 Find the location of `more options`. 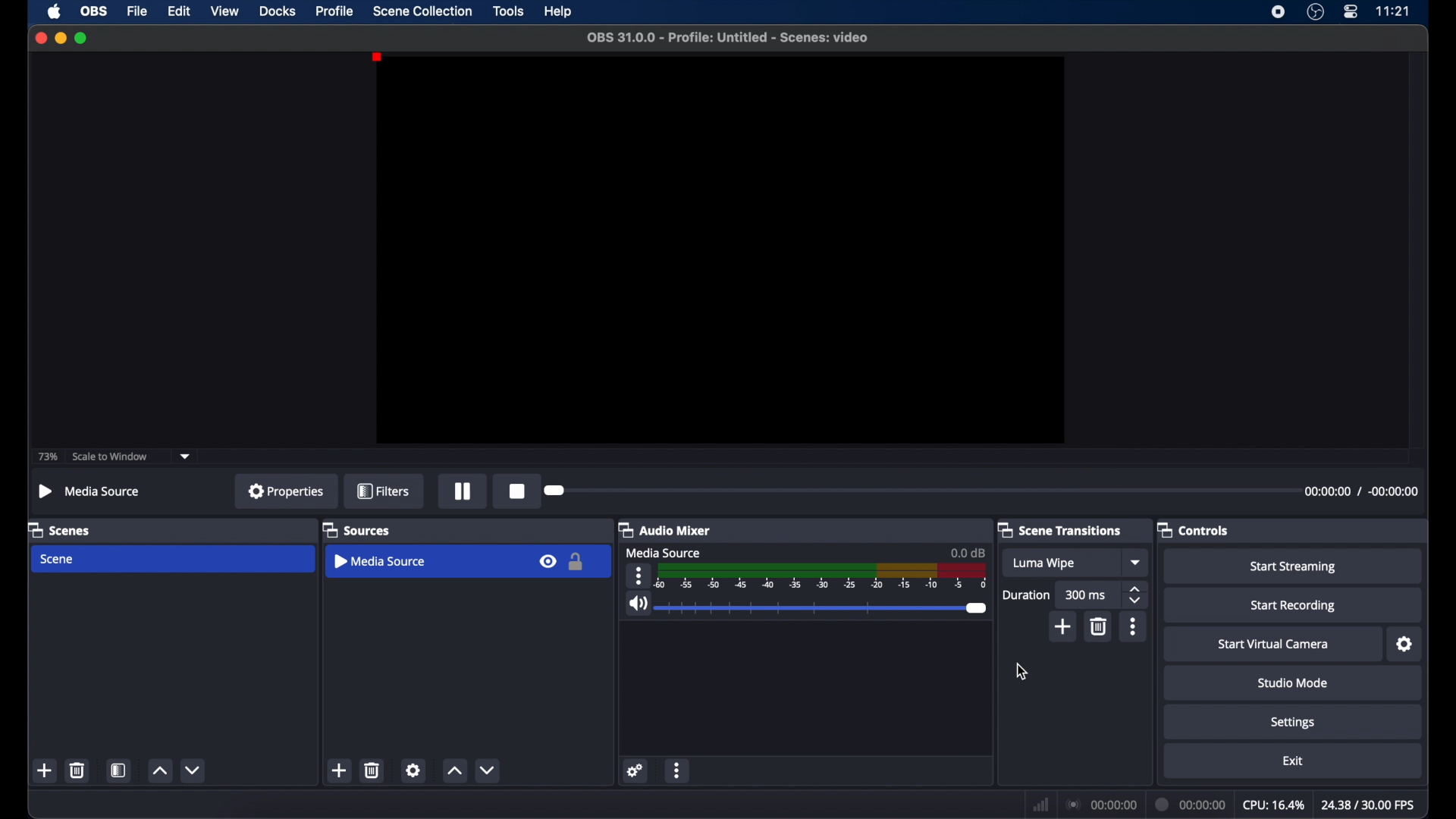

more options is located at coordinates (677, 770).